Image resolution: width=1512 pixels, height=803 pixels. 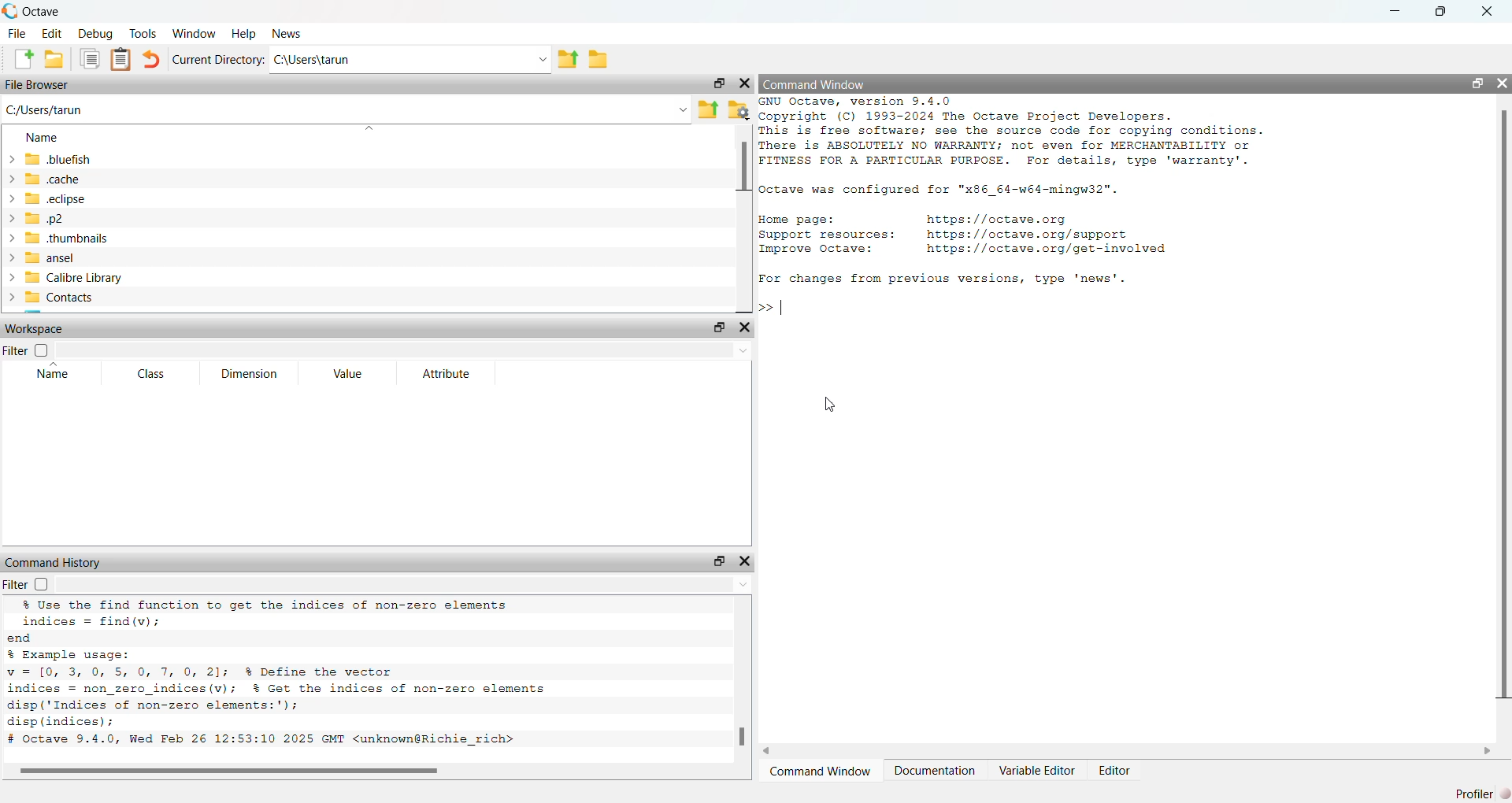 What do you see at coordinates (739, 683) in the screenshot?
I see `vertical scroll bar` at bounding box center [739, 683].